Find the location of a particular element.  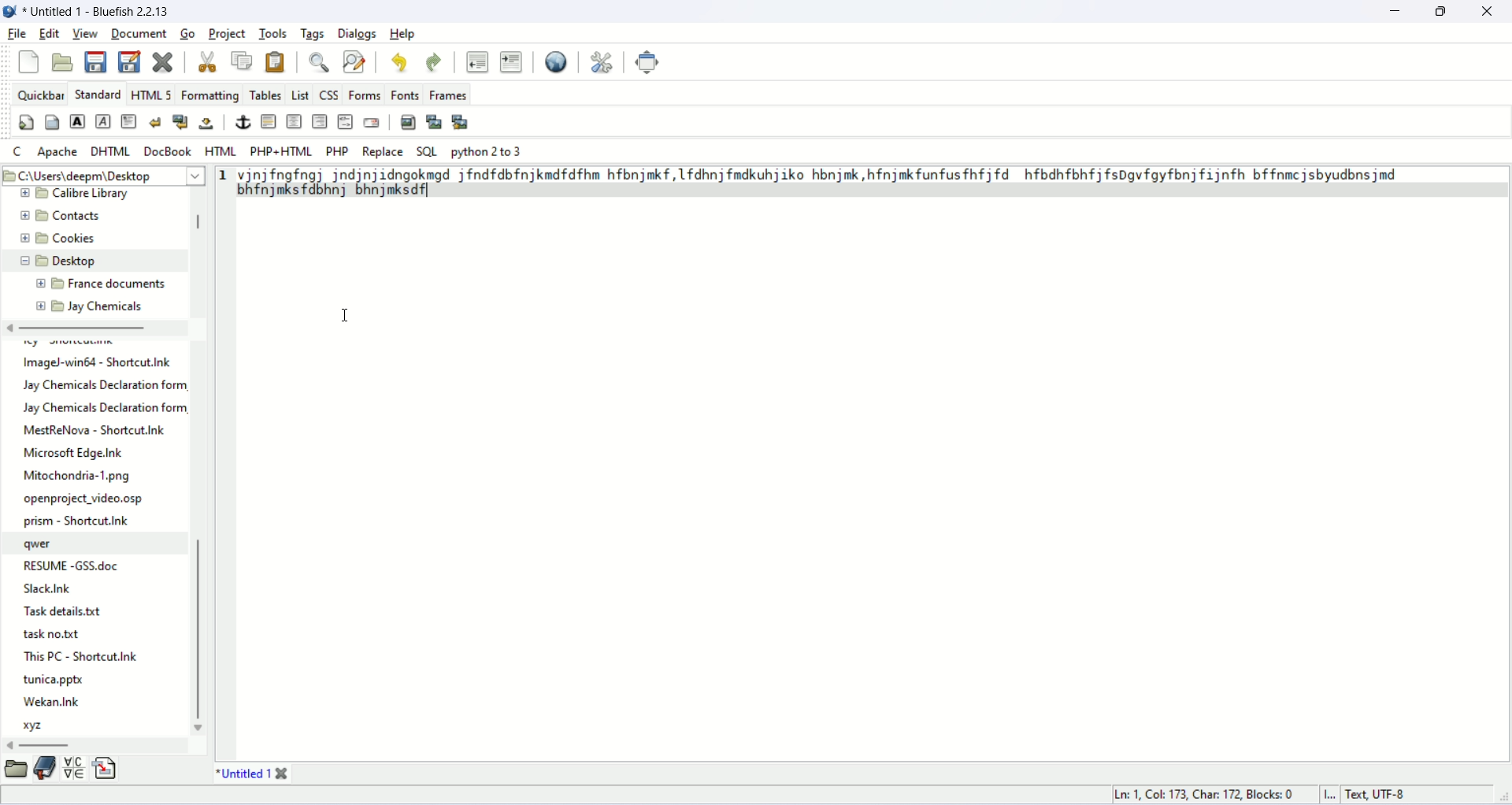

maximize is located at coordinates (1444, 10).